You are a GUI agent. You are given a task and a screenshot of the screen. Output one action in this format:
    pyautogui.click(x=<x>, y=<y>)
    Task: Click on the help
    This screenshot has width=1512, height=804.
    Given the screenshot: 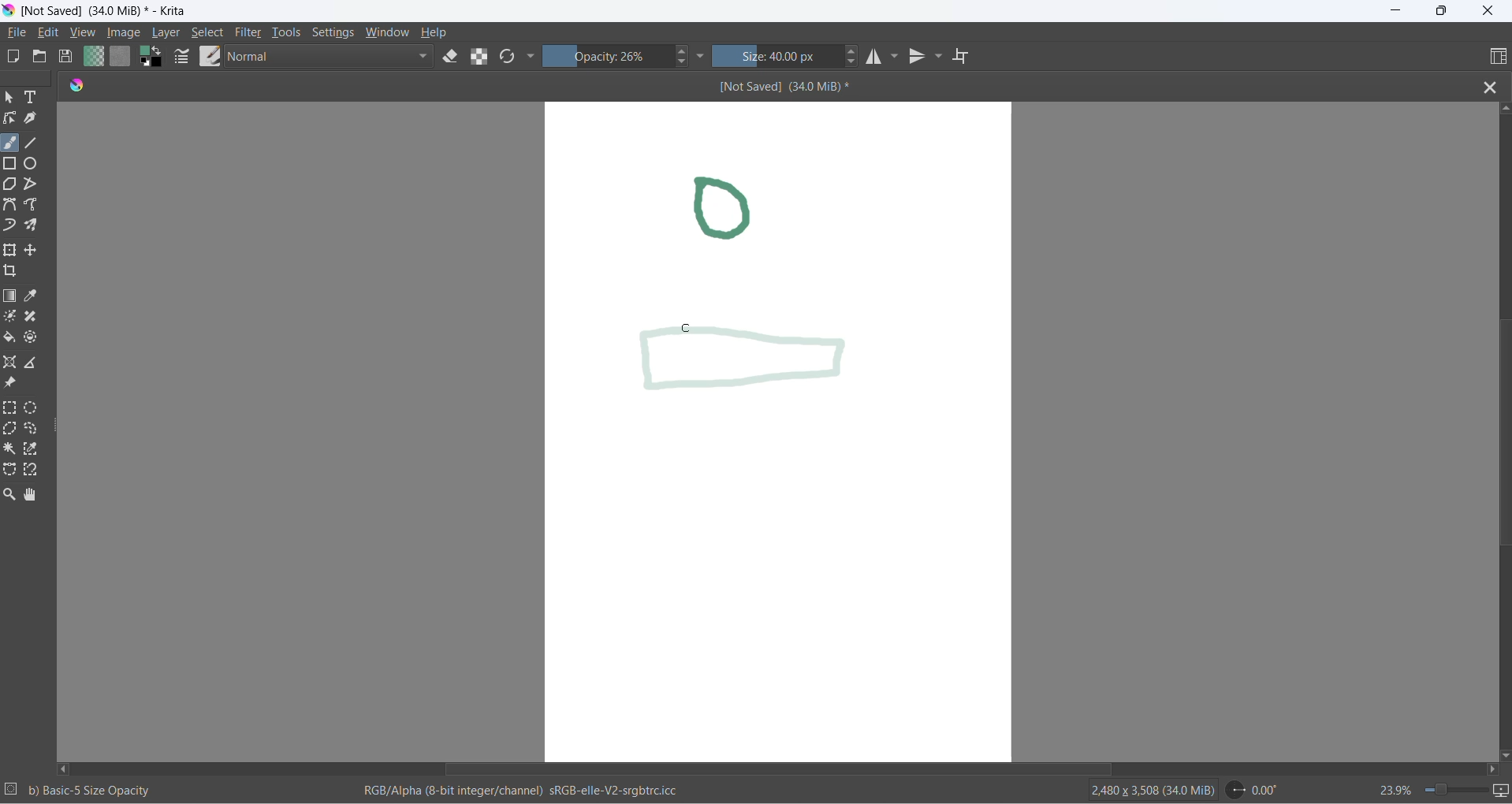 What is the action you would take?
    pyautogui.click(x=437, y=32)
    